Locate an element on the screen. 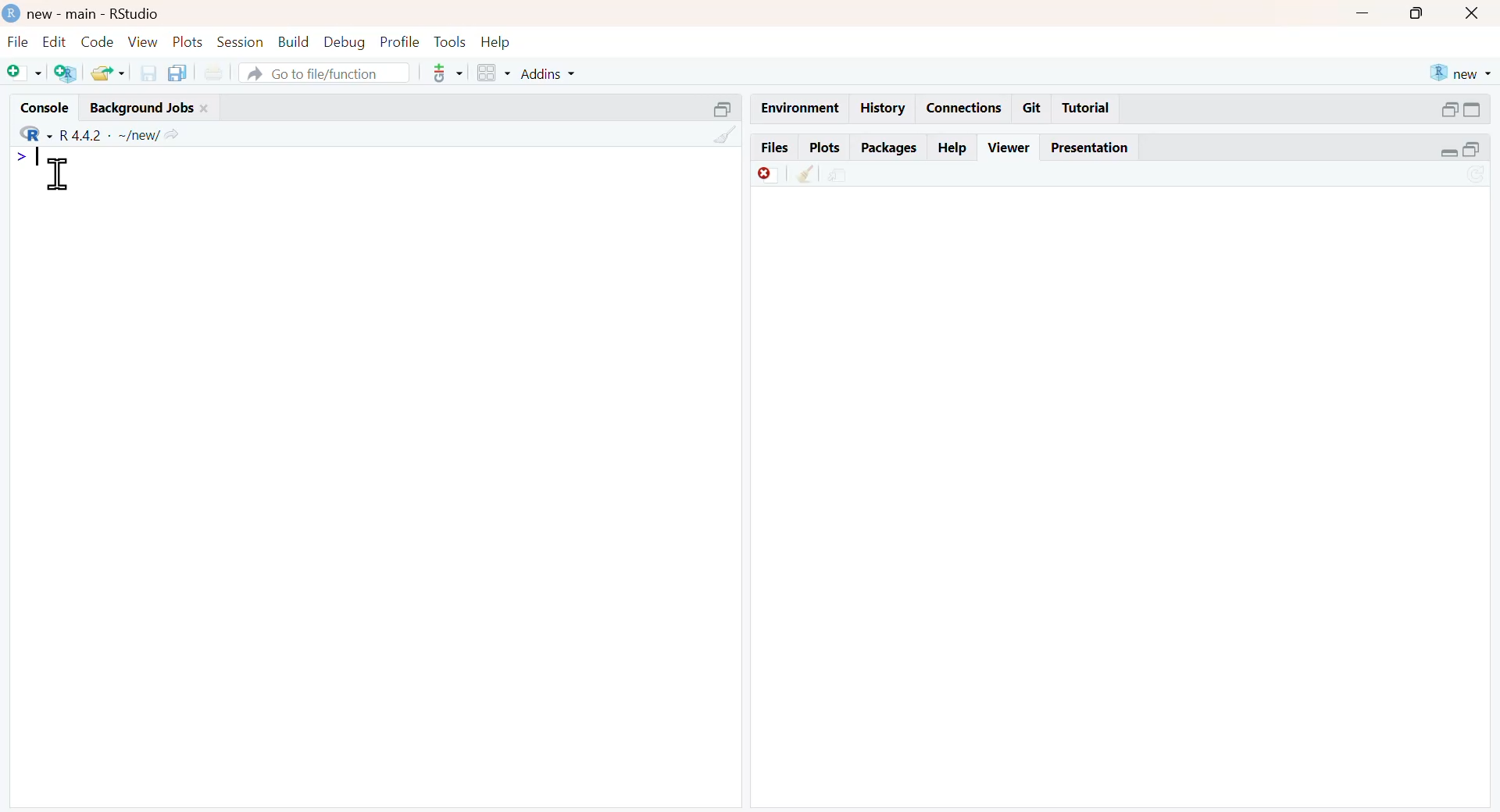  code is located at coordinates (97, 41).